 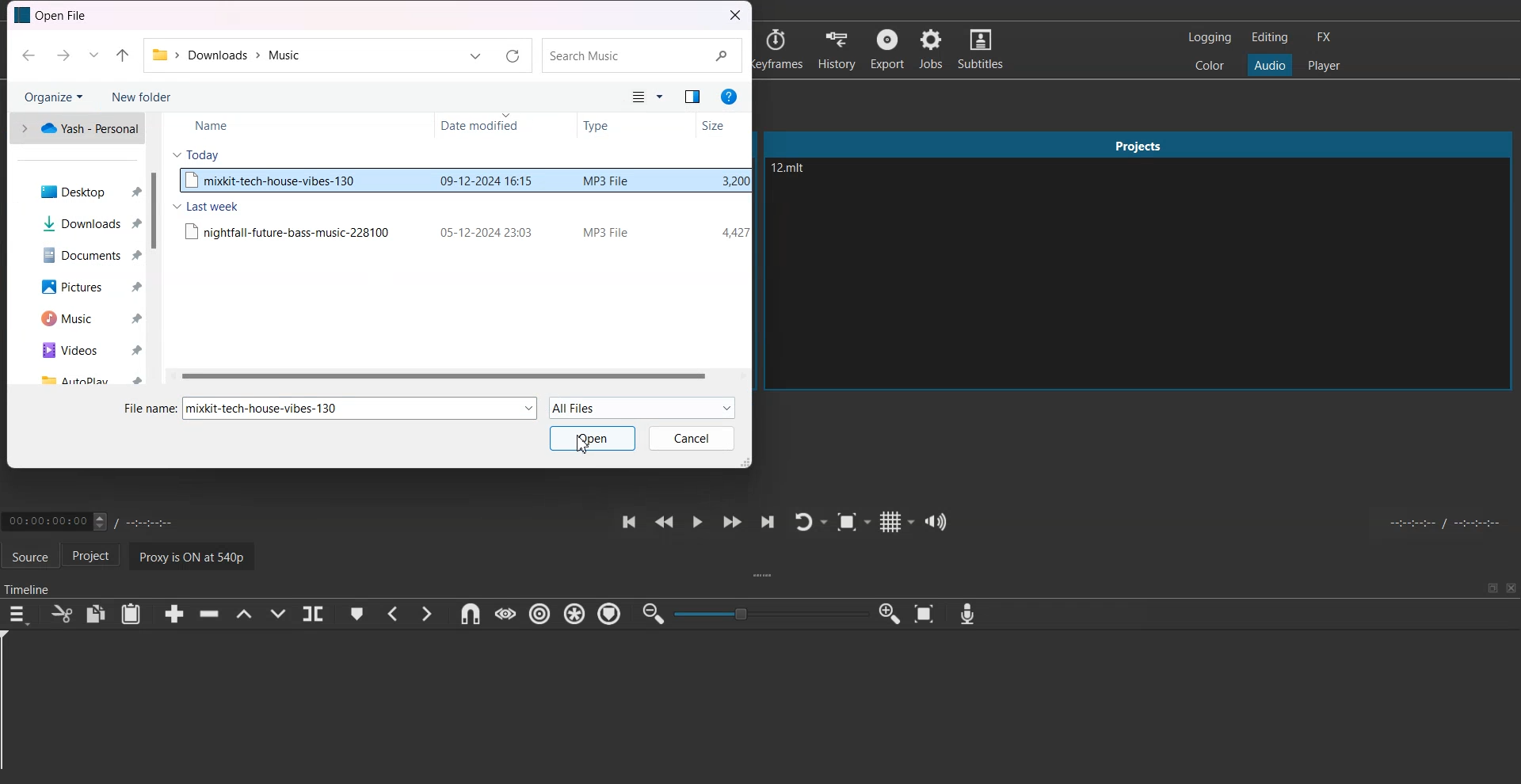 What do you see at coordinates (927, 614) in the screenshot?
I see `Zoom timeline to fit` at bounding box center [927, 614].